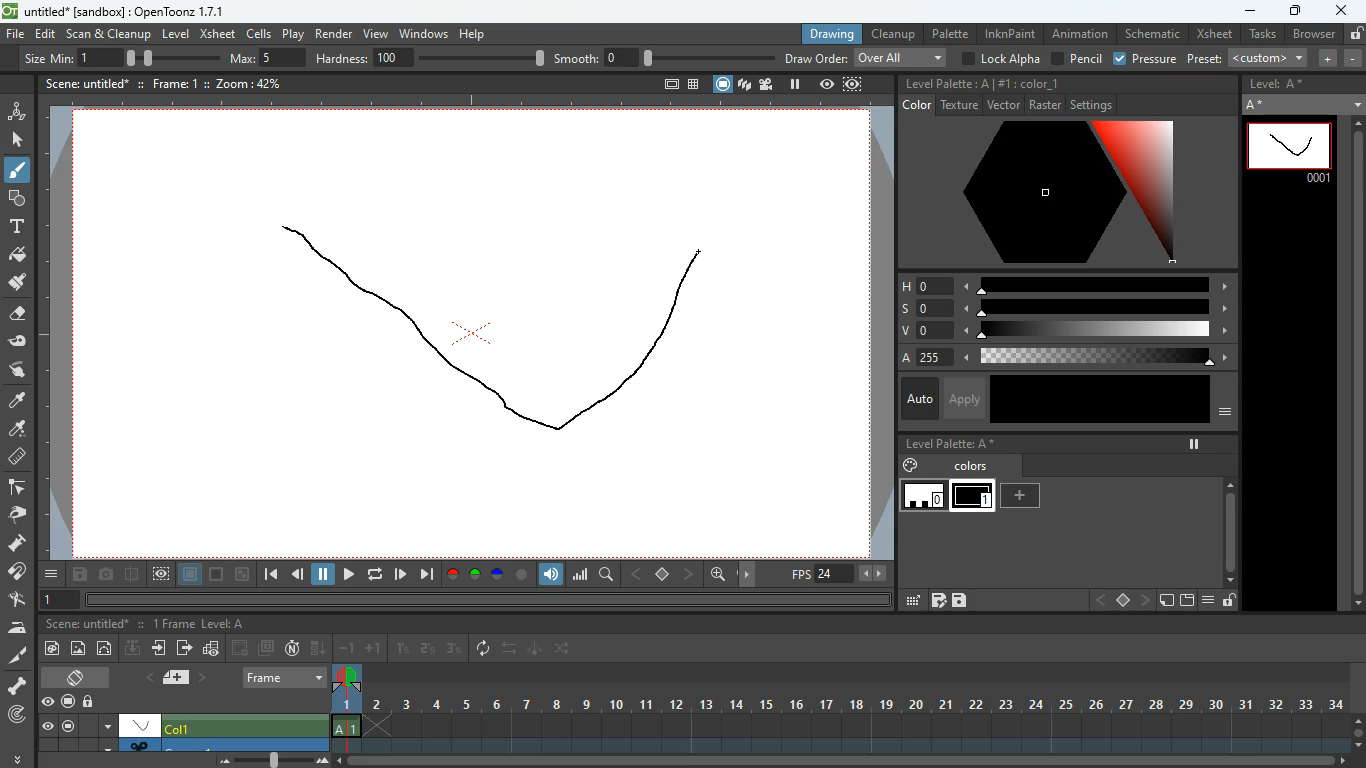  Describe the element at coordinates (1261, 35) in the screenshot. I see `tasks` at that location.